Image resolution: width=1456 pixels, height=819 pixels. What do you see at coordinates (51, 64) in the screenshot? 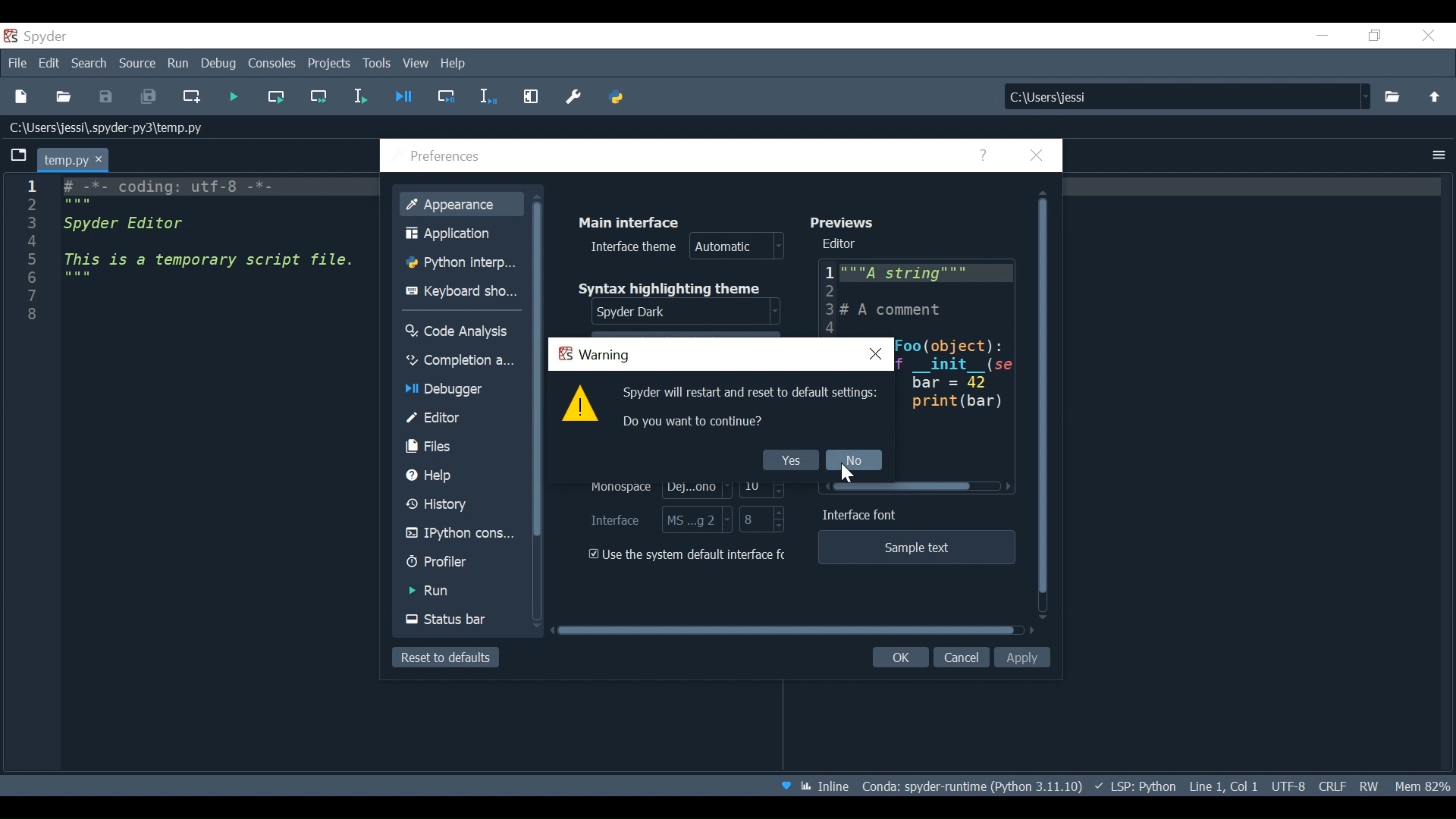
I see `Edit` at bounding box center [51, 64].